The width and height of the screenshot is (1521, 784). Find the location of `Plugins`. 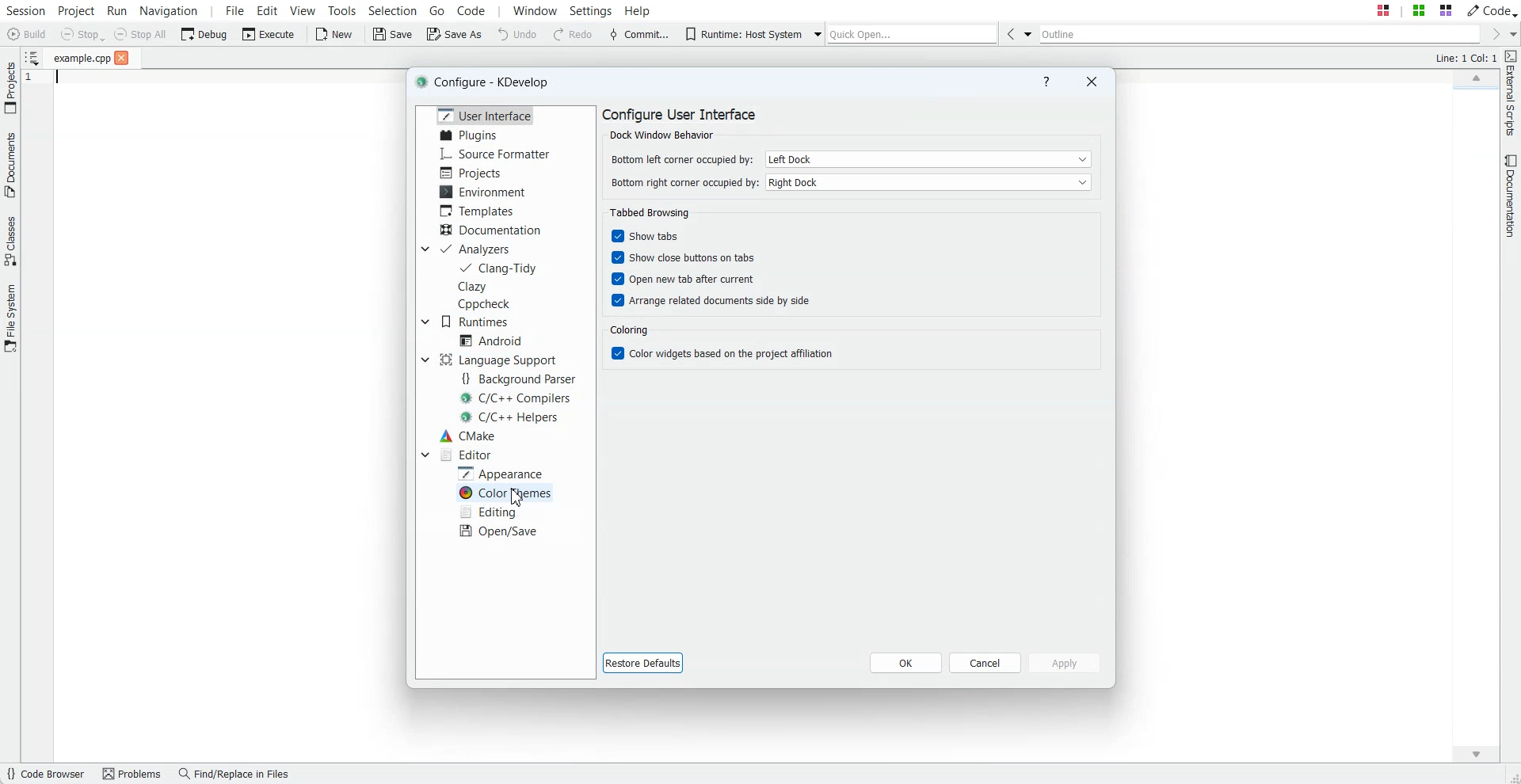

Plugins is located at coordinates (468, 135).